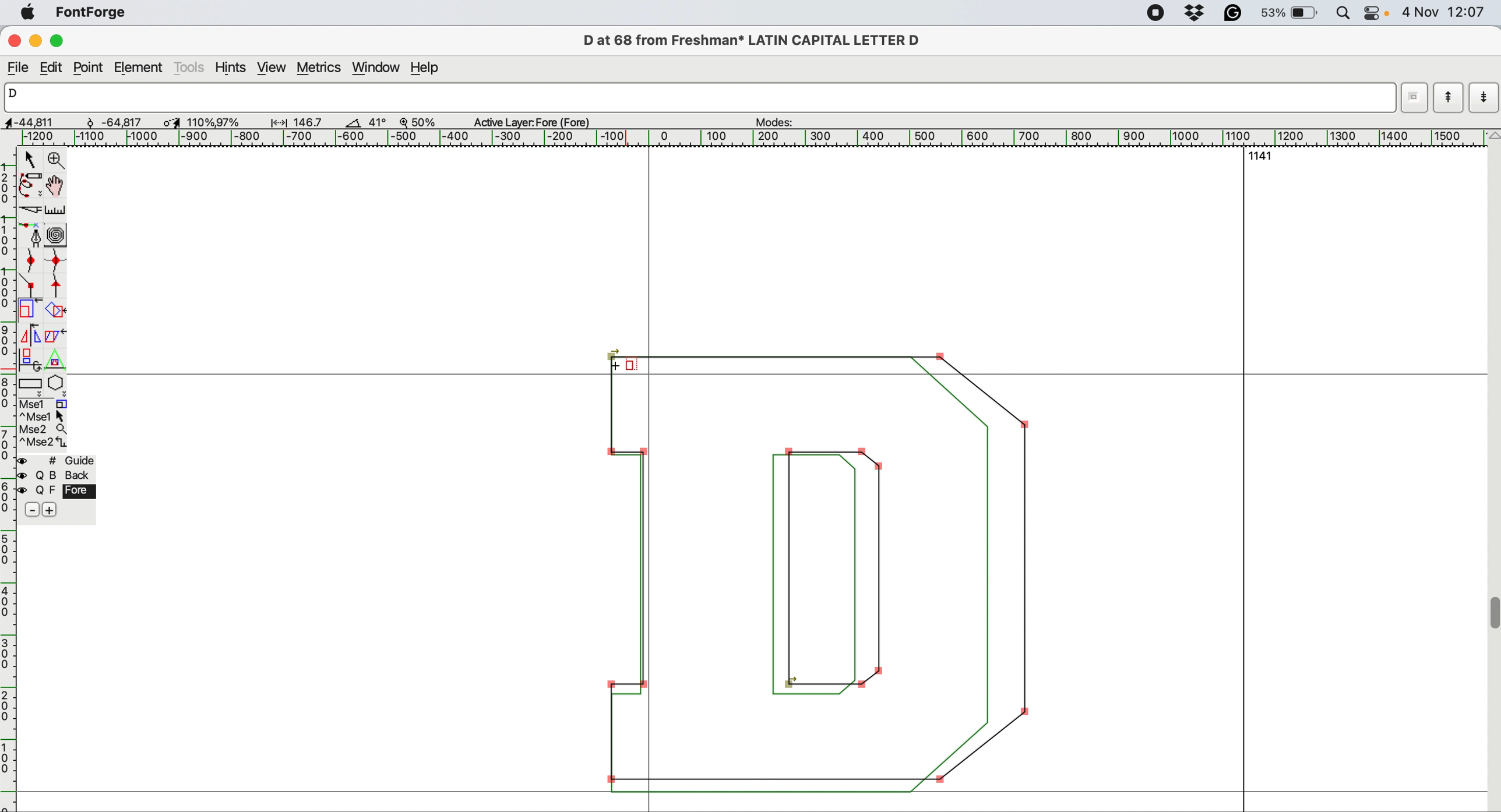 This screenshot has width=1501, height=812. Describe the element at coordinates (756, 40) in the screenshot. I see `D at 68 from Freshman* LATIN CAPITAL LETTER D` at that location.